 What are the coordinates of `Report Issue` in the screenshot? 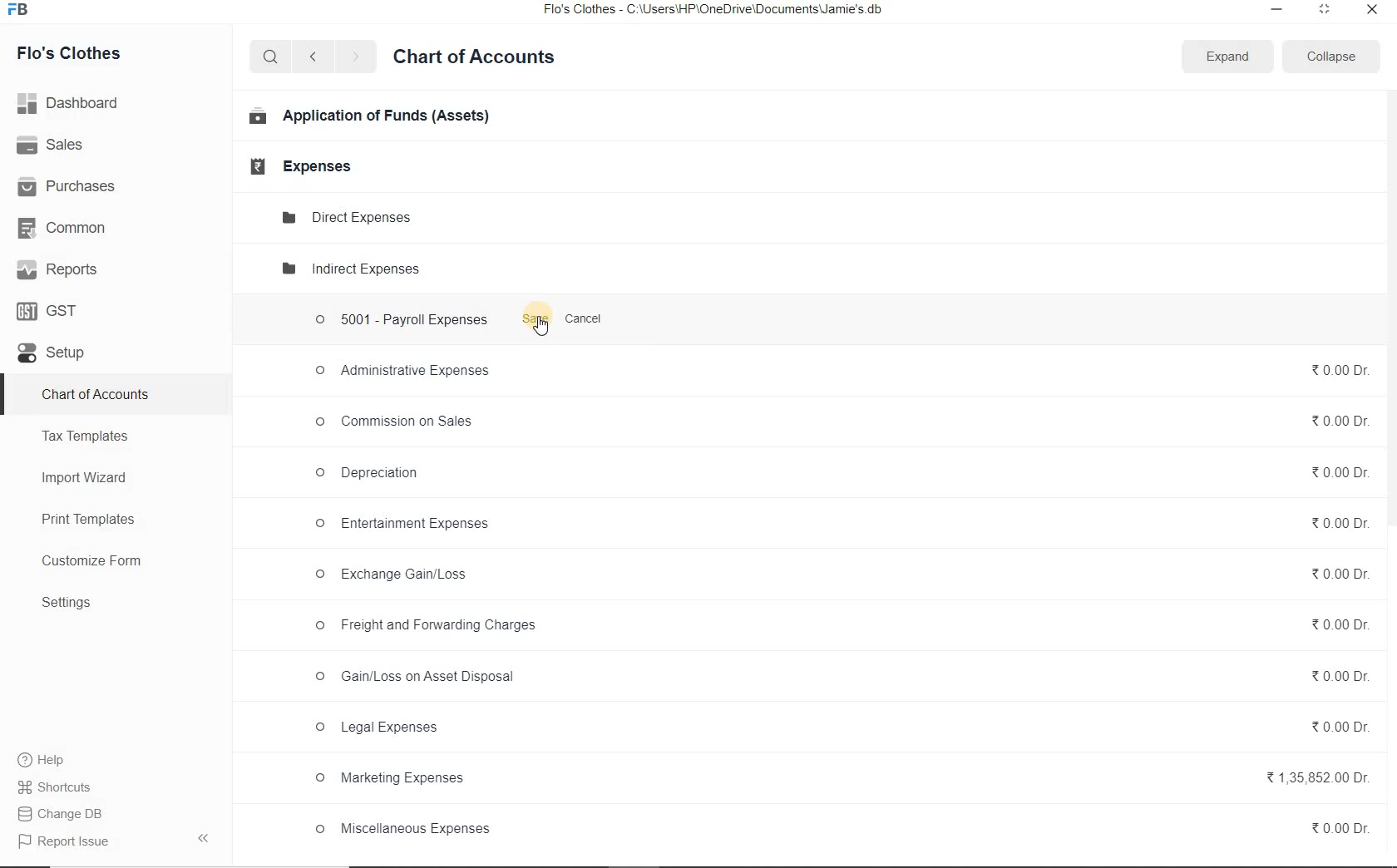 It's located at (60, 842).